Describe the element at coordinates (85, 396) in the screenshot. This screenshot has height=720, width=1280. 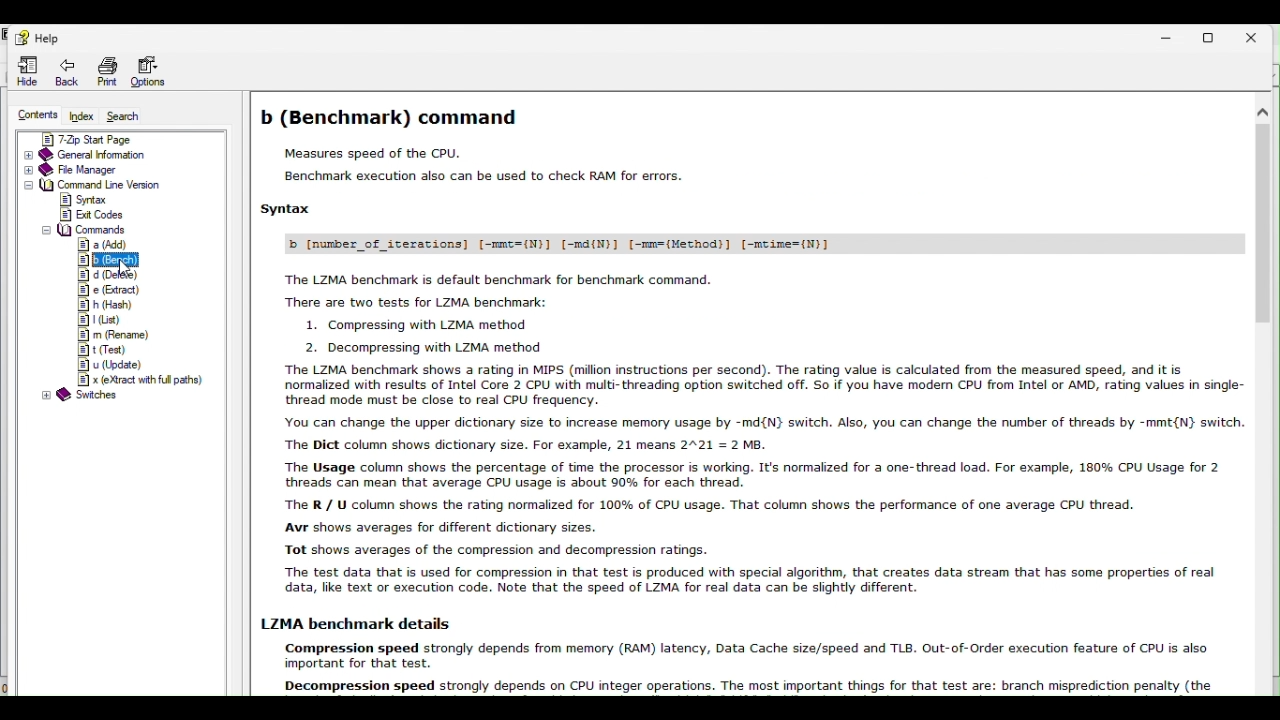
I see `@ Switches` at that location.